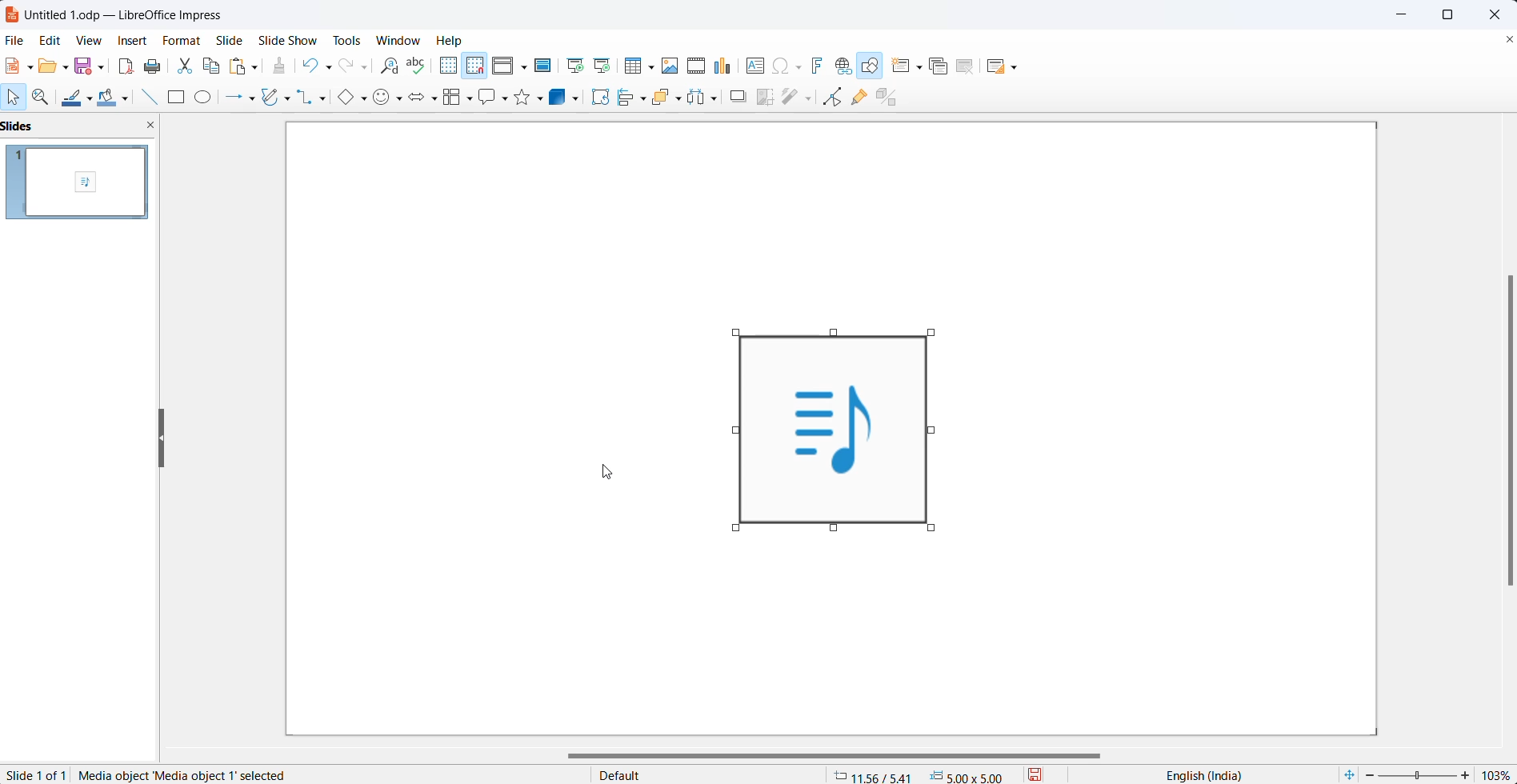  Describe the element at coordinates (1399, 12) in the screenshot. I see `minimize` at that location.